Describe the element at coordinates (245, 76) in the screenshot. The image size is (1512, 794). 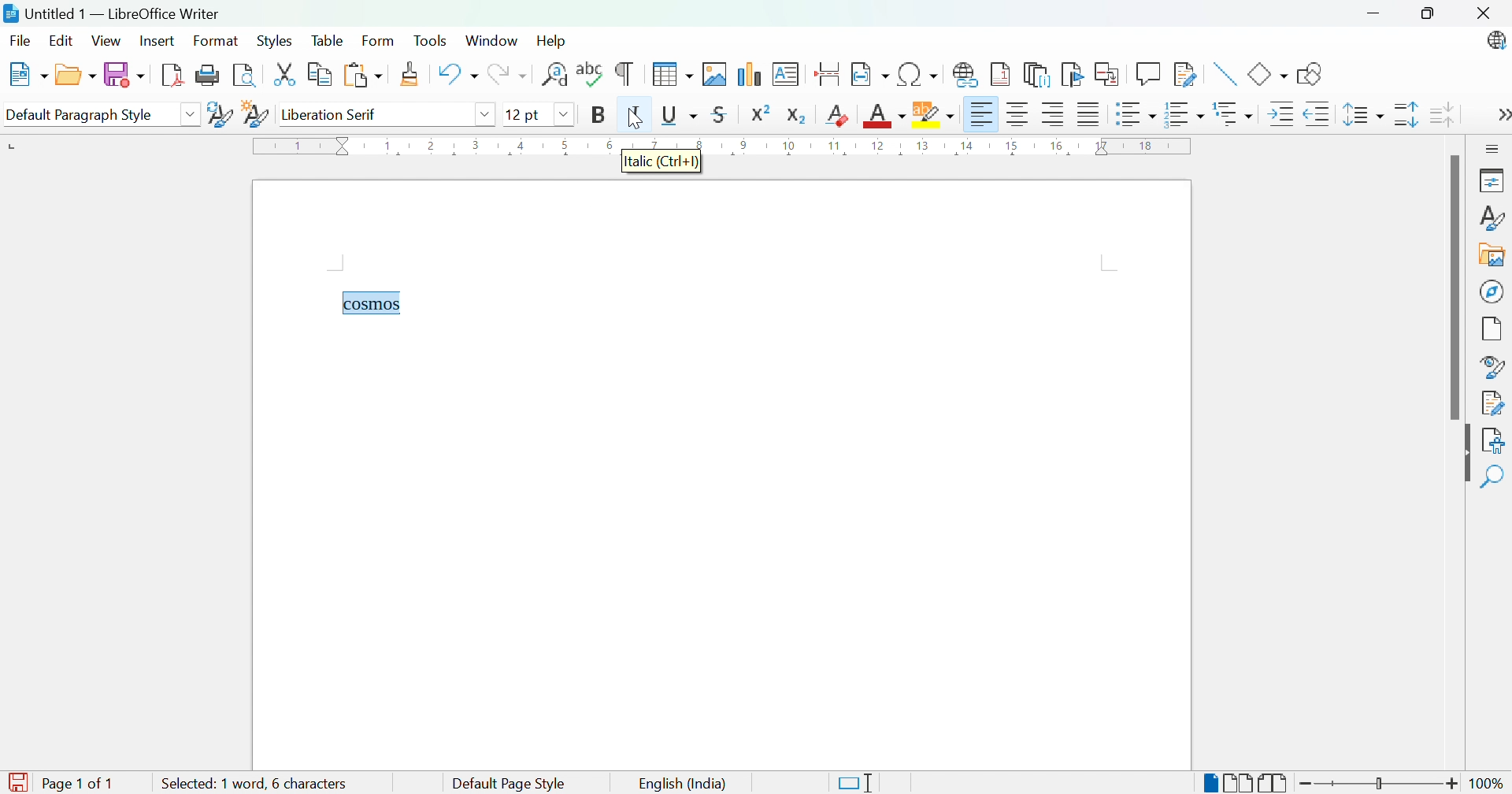
I see `Toggle print preview` at that location.